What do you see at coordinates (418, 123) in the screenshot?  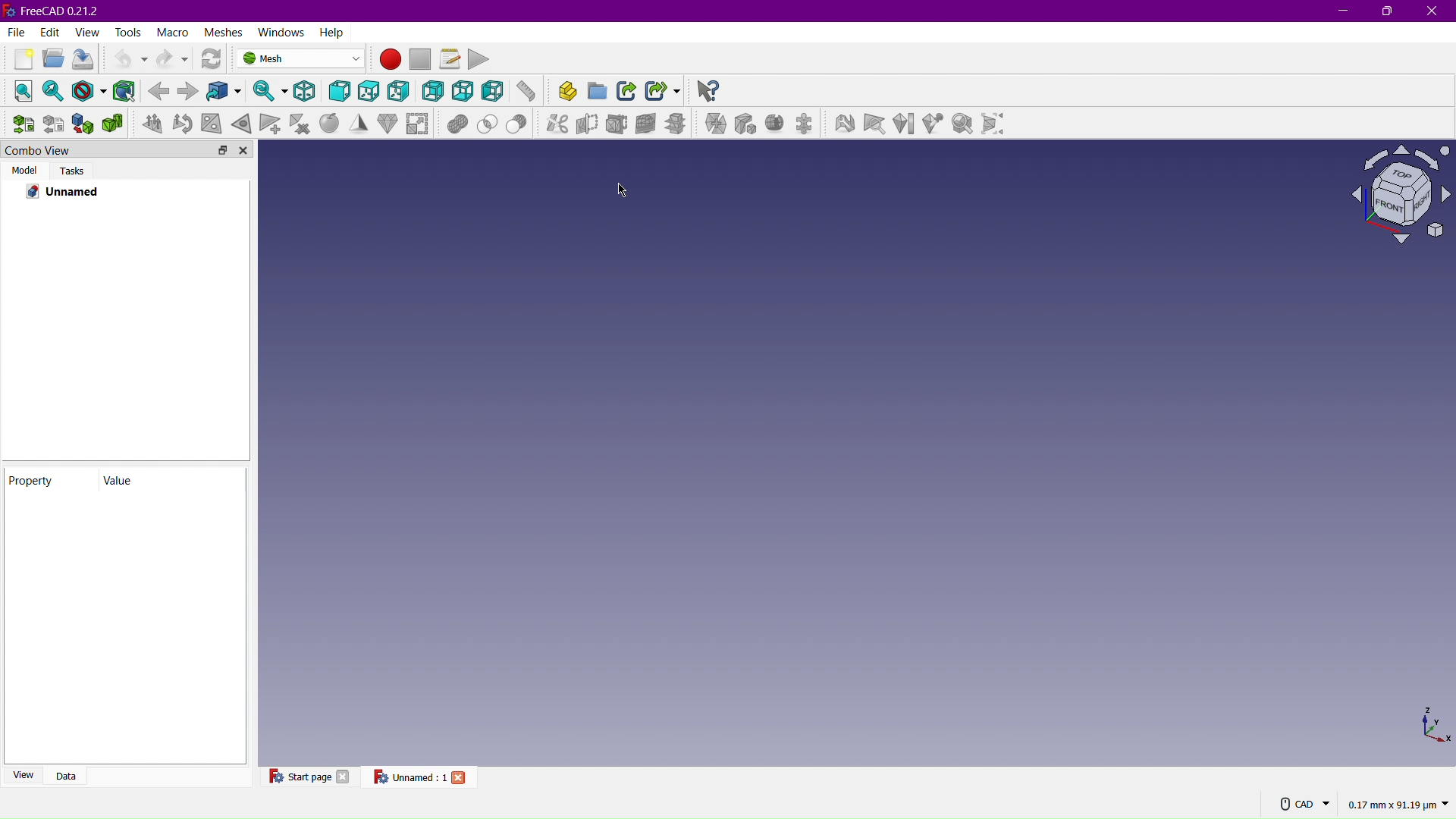 I see `Scale mesh` at bounding box center [418, 123].